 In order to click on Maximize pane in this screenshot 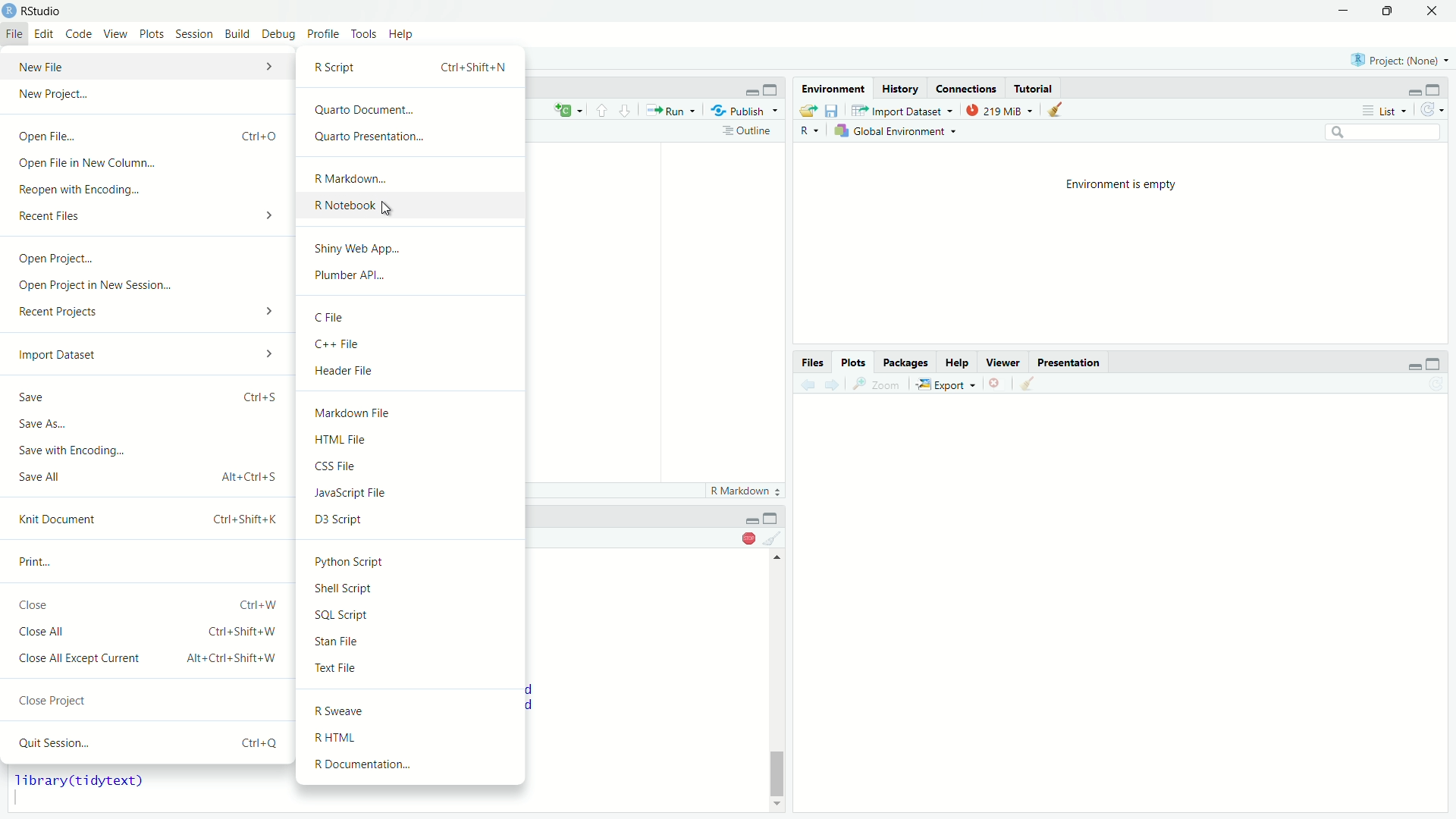, I will do `click(1436, 87)`.